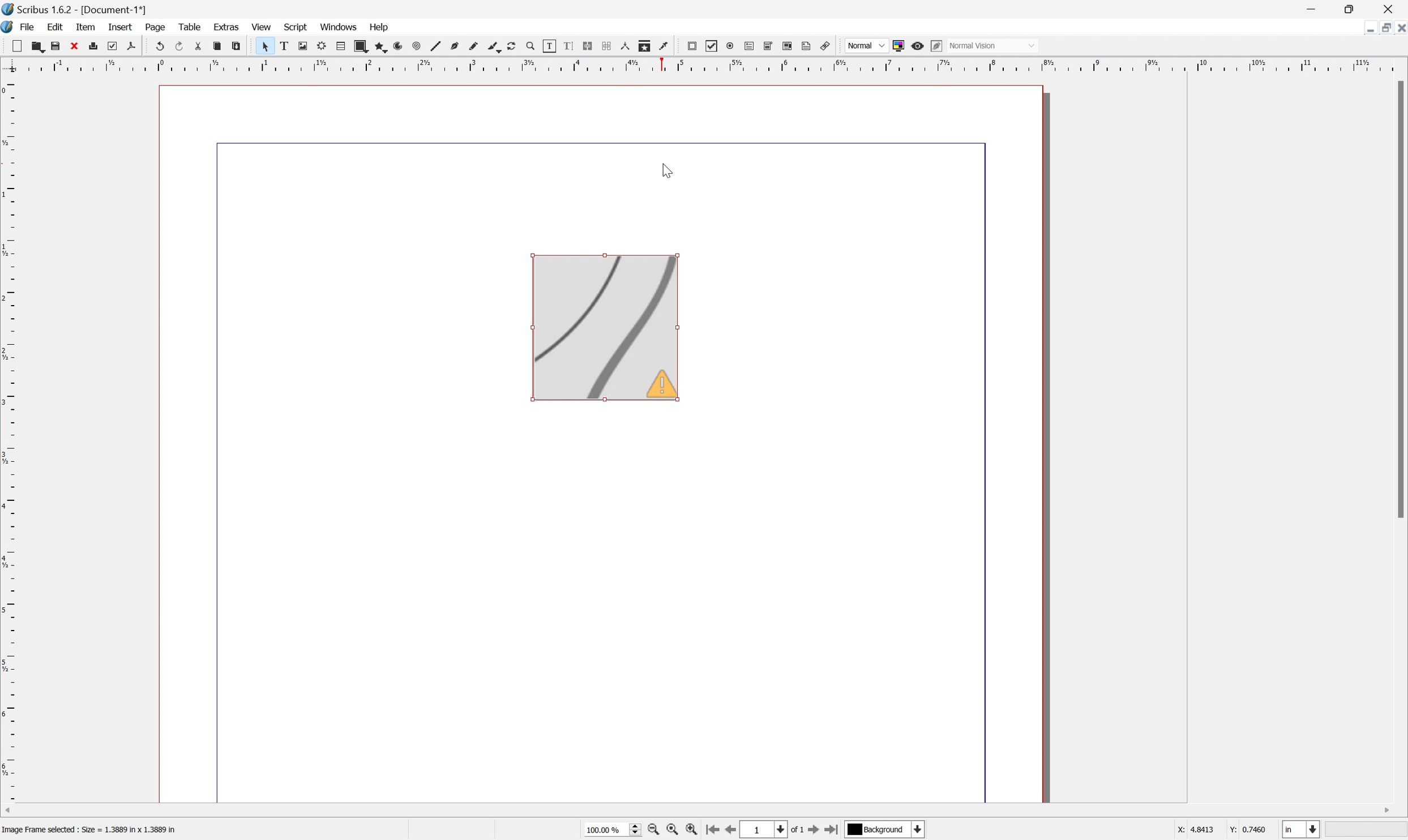 The height and width of the screenshot is (840, 1408). Describe the element at coordinates (497, 47) in the screenshot. I see `Calligraphic line` at that location.